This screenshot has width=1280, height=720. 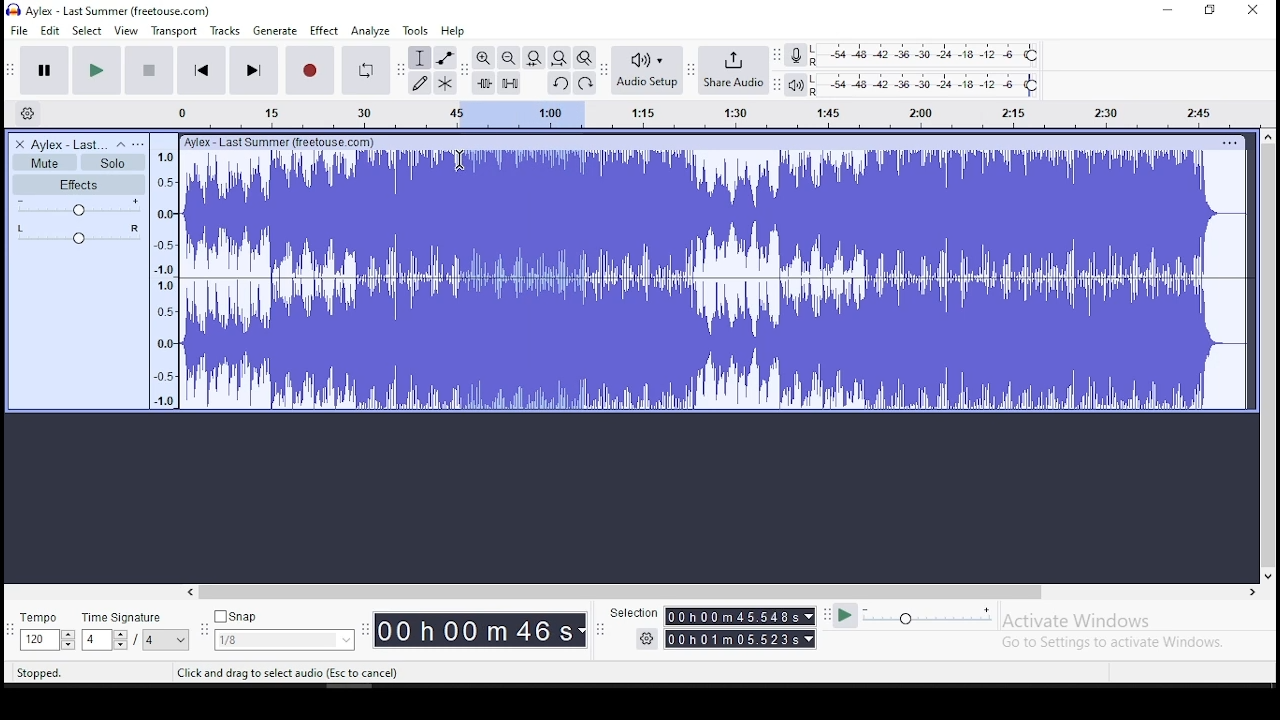 What do you see at coordinates (112, 163) in the screenshot?
I see `solo` at bounding box center [112, 163].